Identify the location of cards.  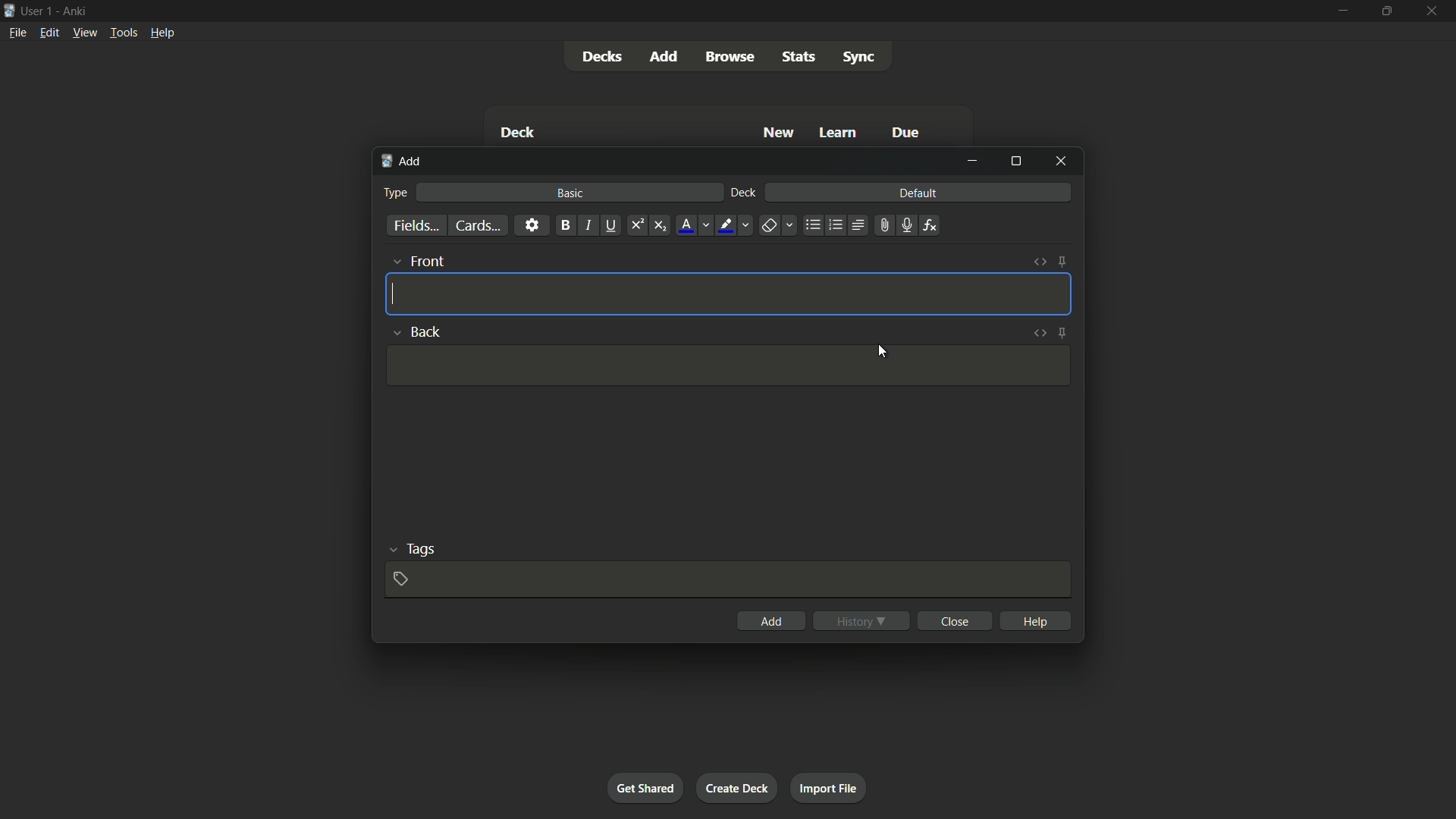
(477, 226).